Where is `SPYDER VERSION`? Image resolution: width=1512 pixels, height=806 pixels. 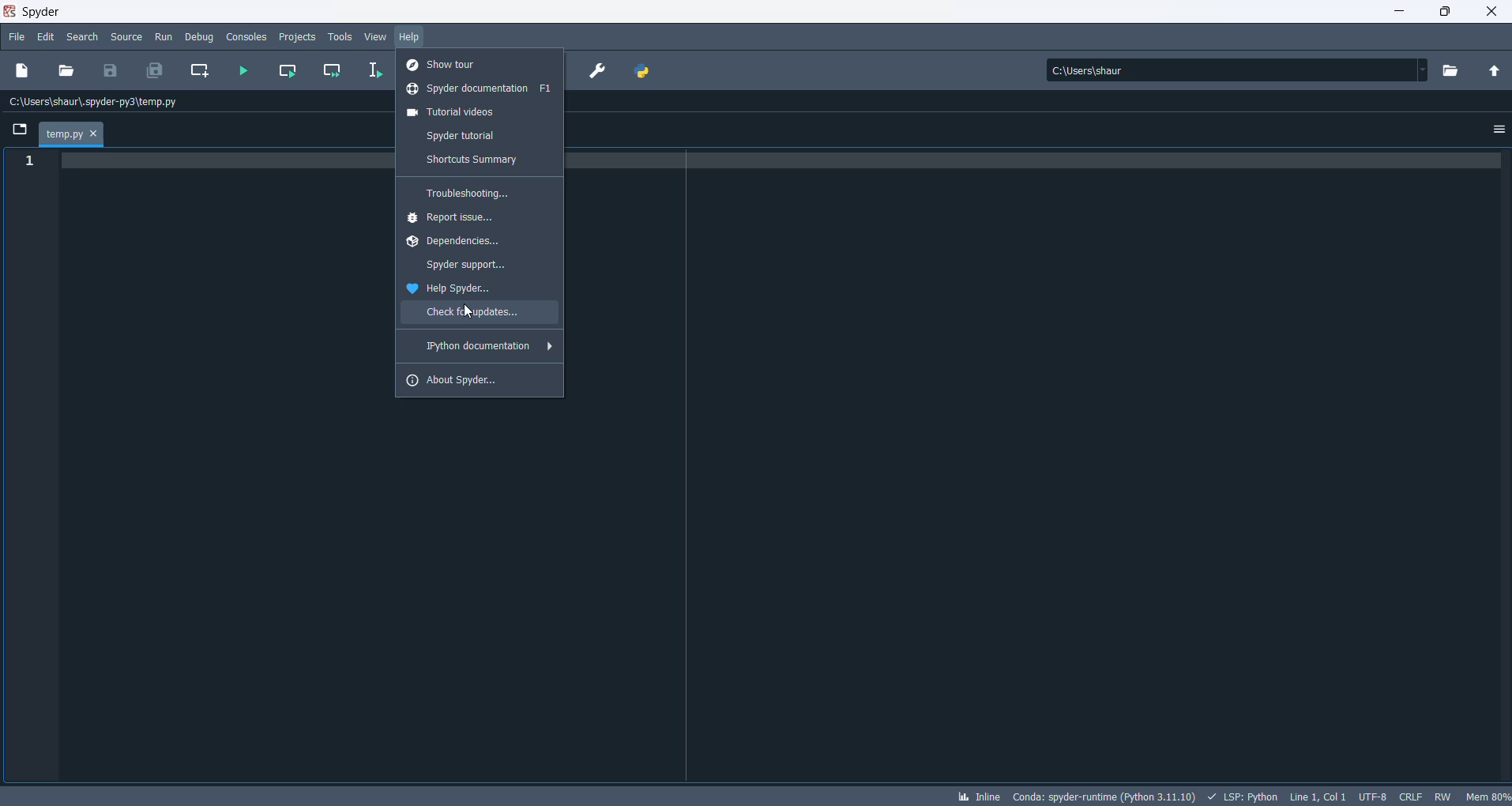 SPYDER VERSION is located at coordinates (1101, 796).